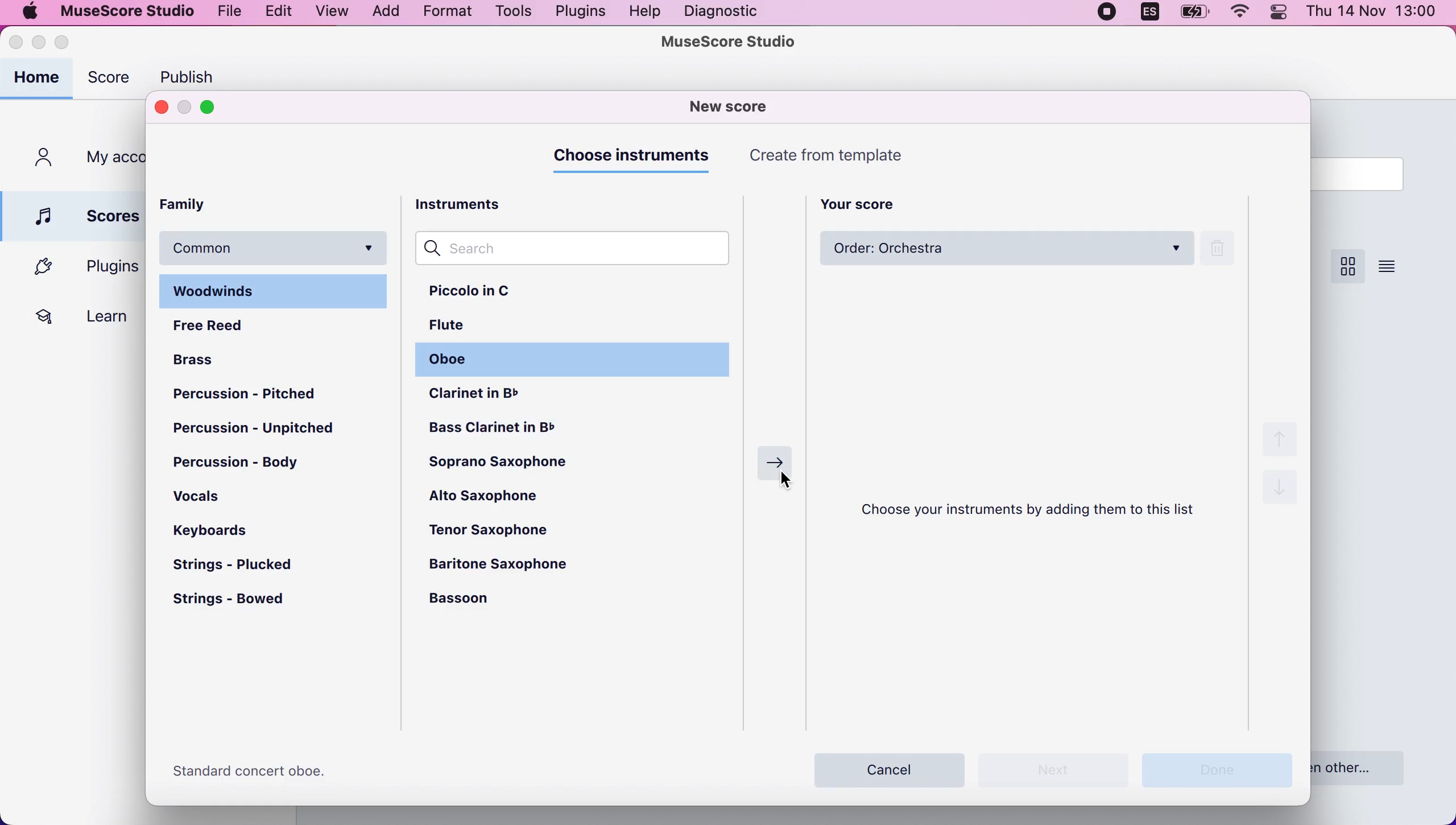 The height and width of the screenshot is (825, 1456). I want to click on flute, so click(463, 329).